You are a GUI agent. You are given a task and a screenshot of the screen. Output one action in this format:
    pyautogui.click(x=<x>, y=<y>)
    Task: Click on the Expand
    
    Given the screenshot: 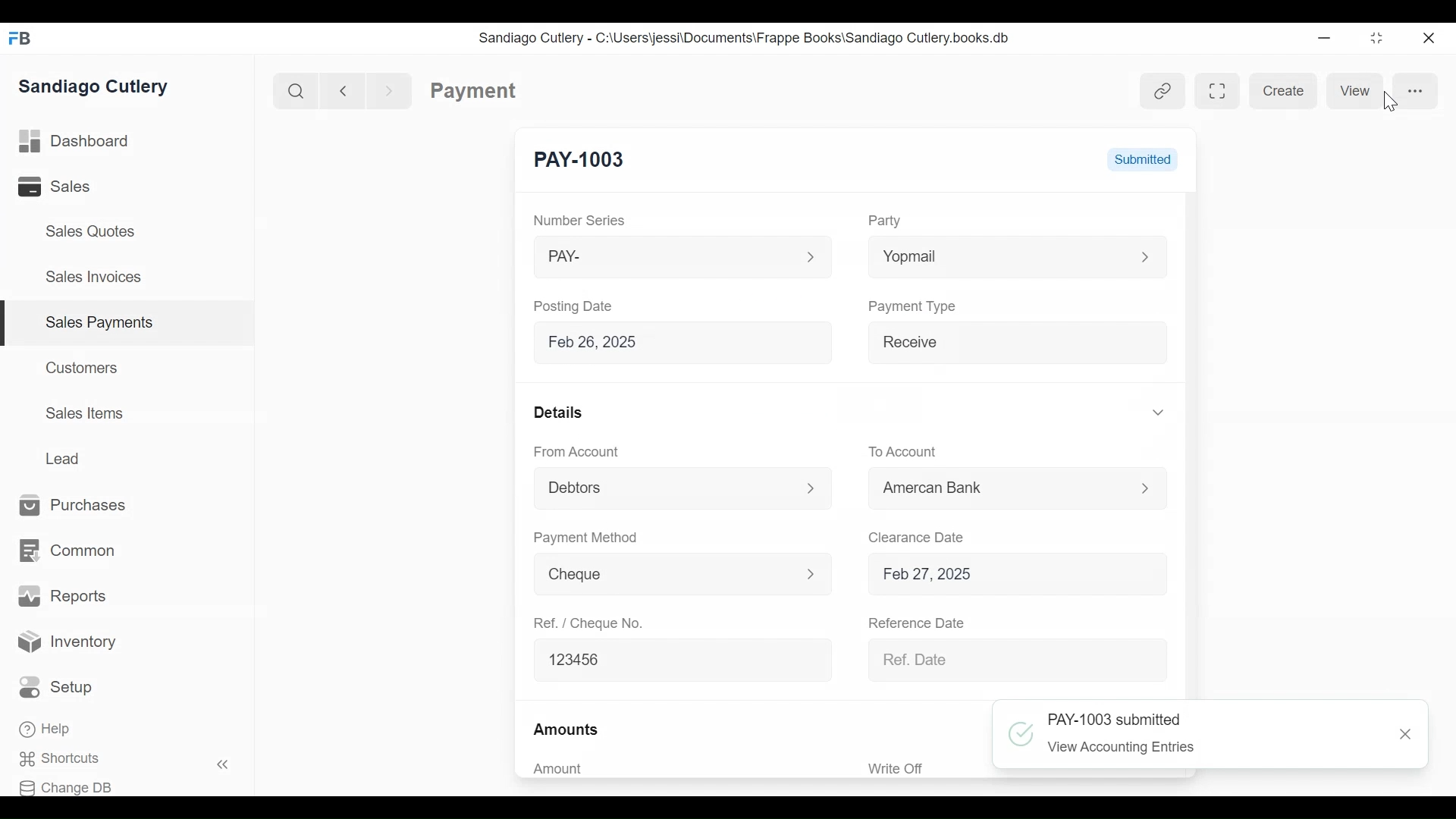 What is the action you would take?
    pyautogui.click(x=812, y=258)
    